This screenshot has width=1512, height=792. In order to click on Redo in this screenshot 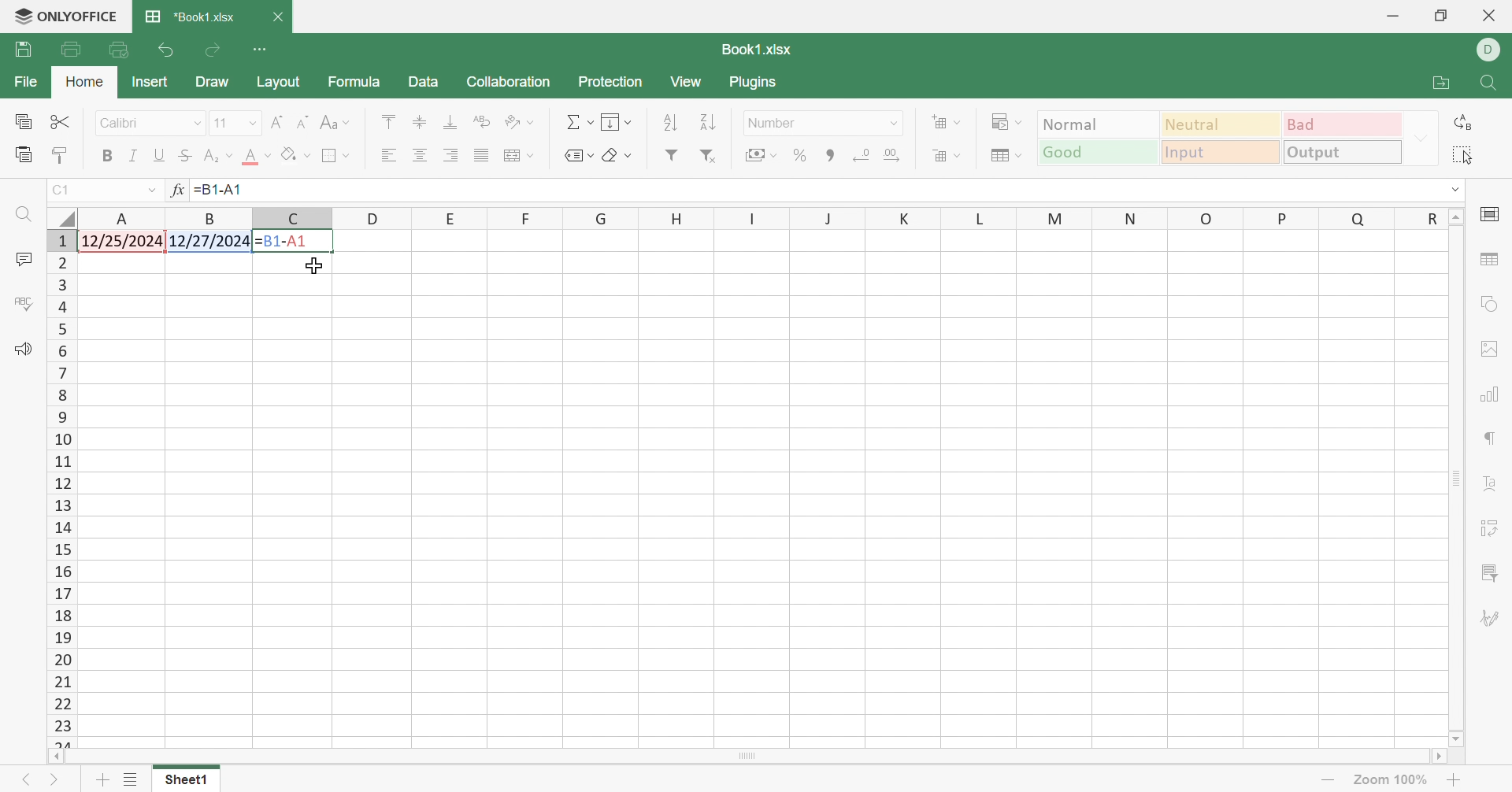, I will do `click(214, 50)`.